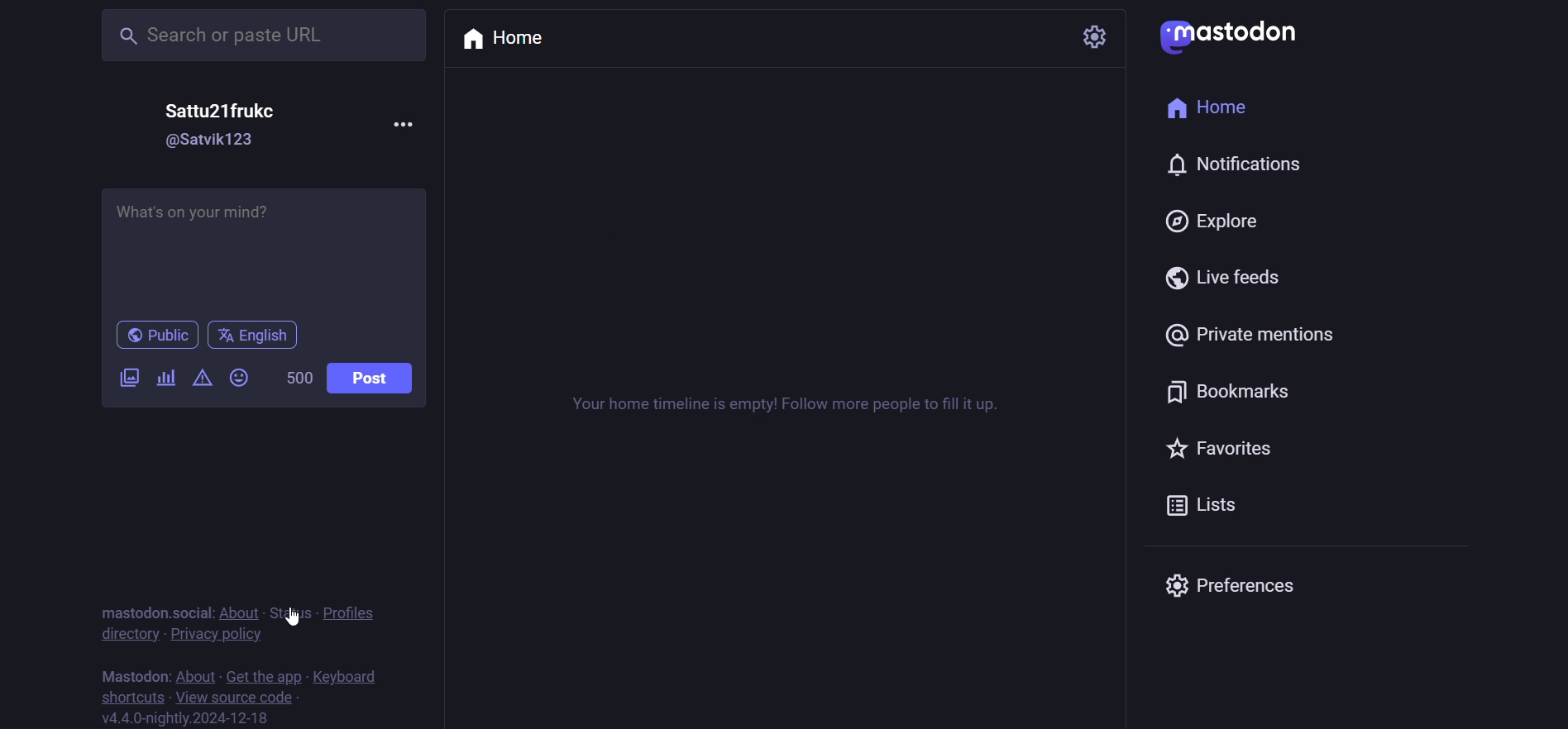  What do you see at coordinates (165, 375) in the screenshot?
I see `poll` at bounding box center [165, 375].